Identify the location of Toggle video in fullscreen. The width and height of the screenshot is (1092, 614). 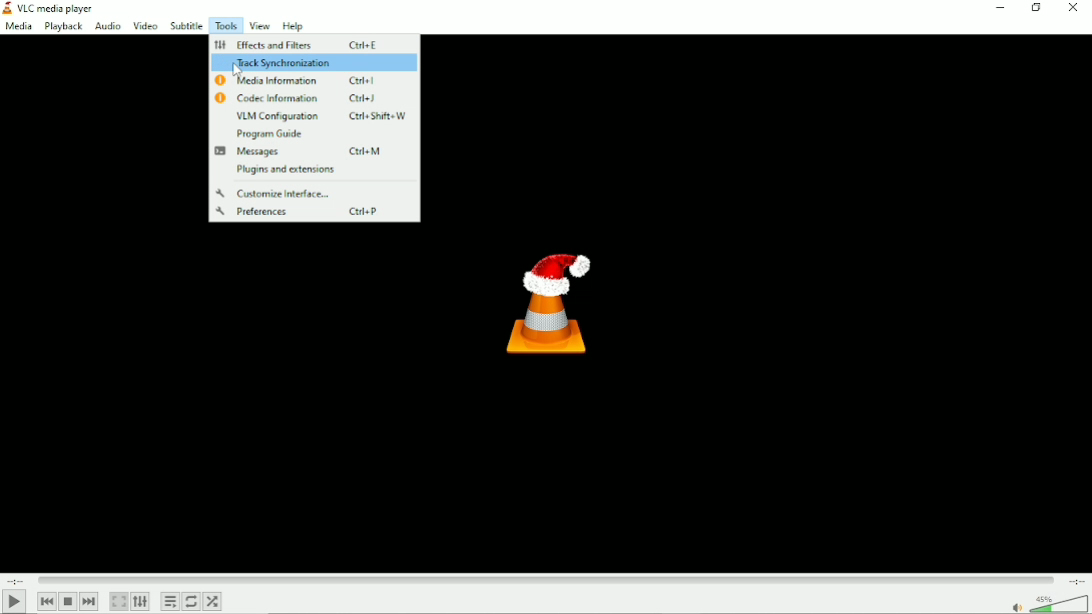
(120, 601).